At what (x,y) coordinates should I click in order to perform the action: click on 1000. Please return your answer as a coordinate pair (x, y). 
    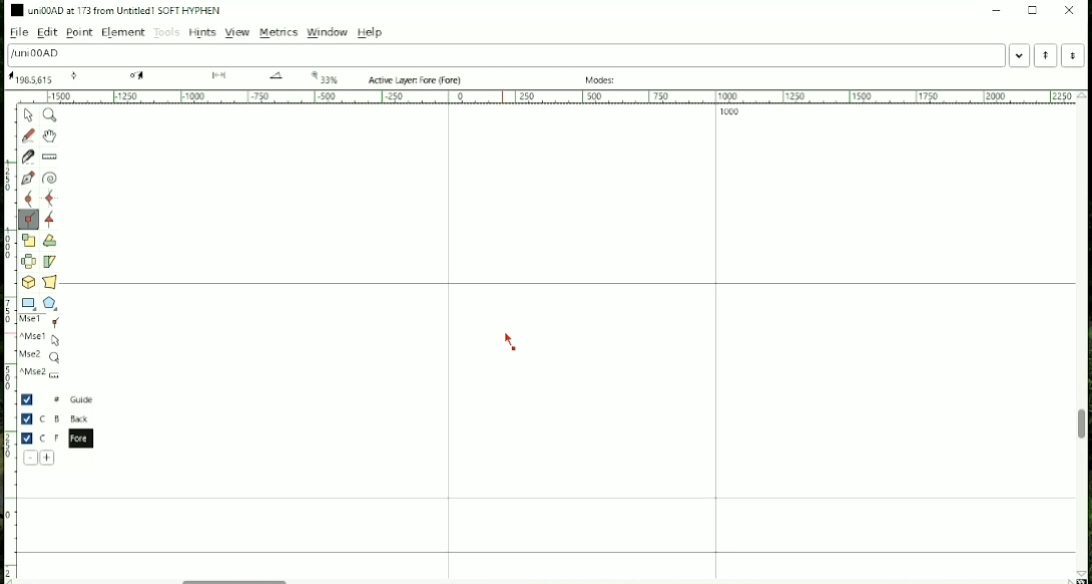
    Looking at the image, I should click on (732, 112).